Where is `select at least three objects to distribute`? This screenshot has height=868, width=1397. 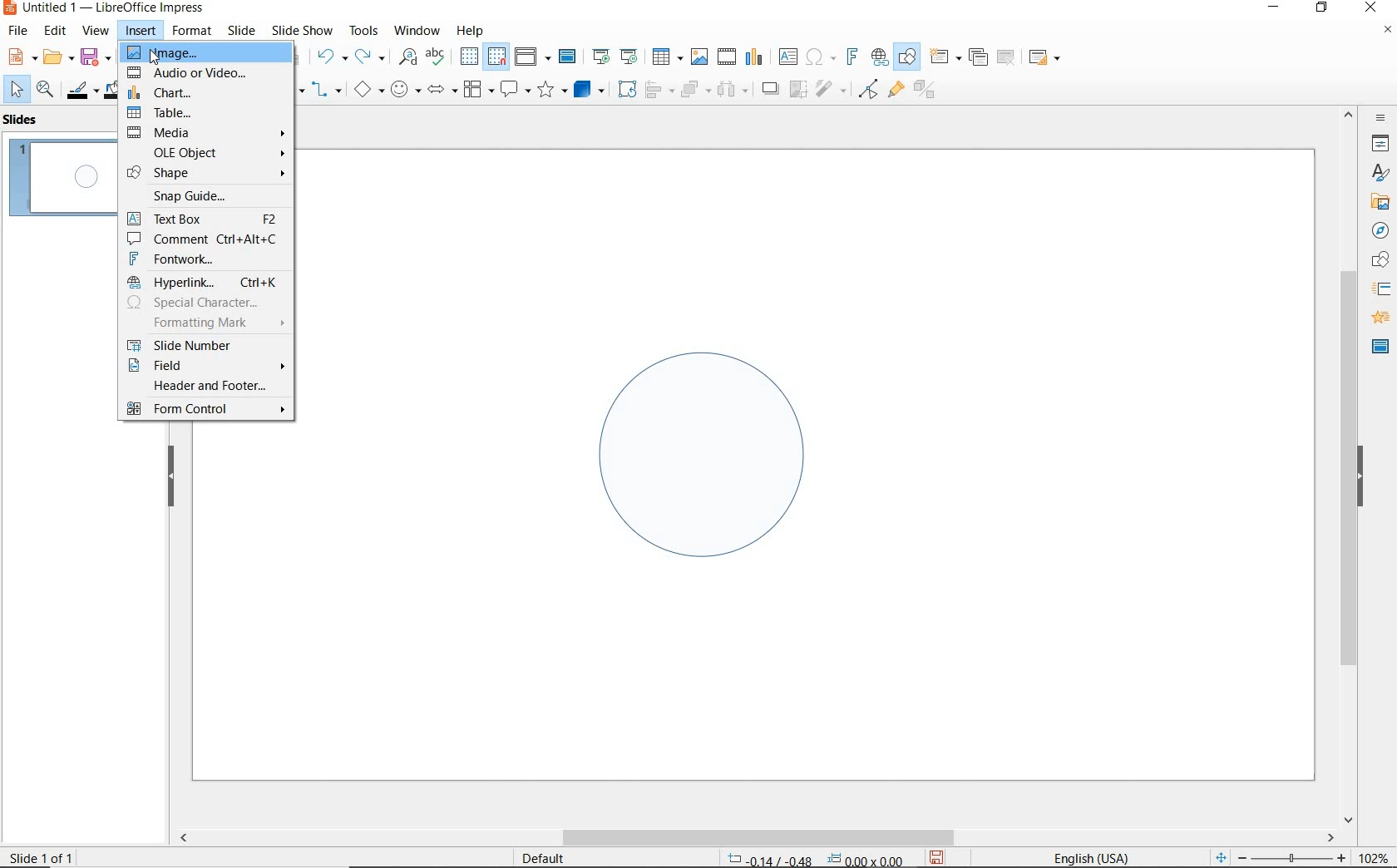
select at least three objects to distribute is located at coordinates (733, 90).